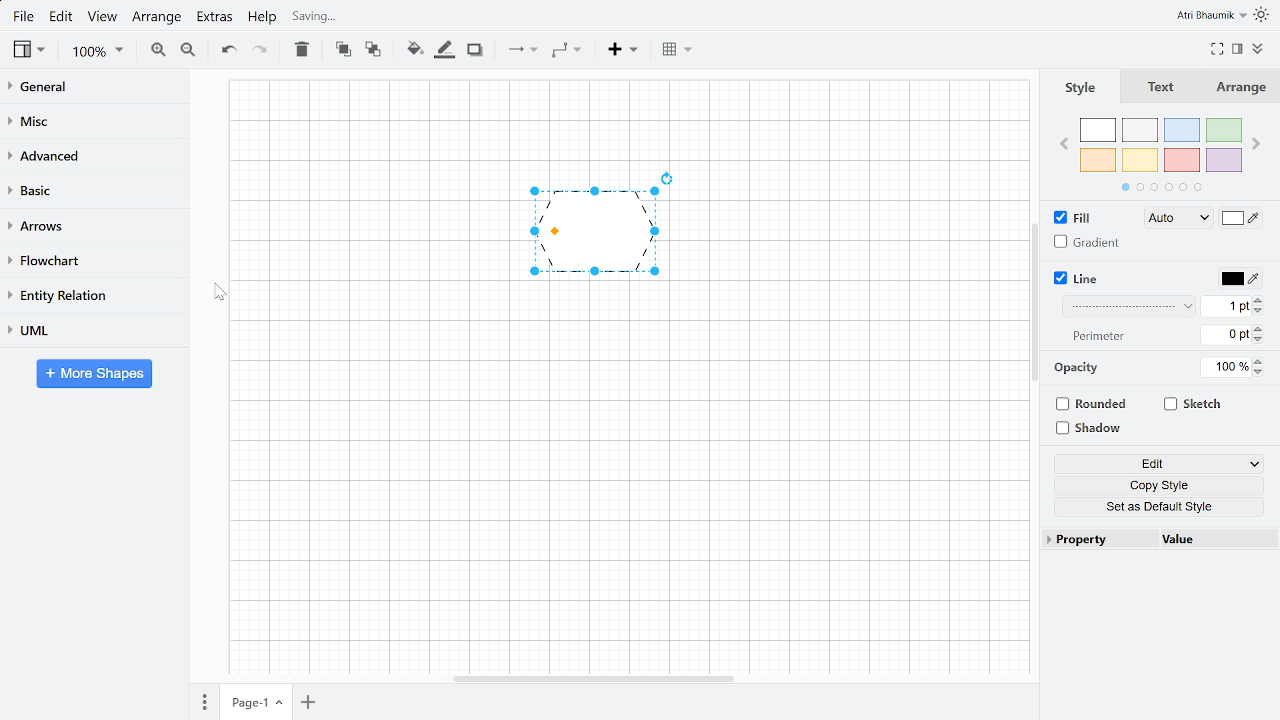 The image size is (1280, 720). I want to click on advanced Advanced, so click(94, 155).